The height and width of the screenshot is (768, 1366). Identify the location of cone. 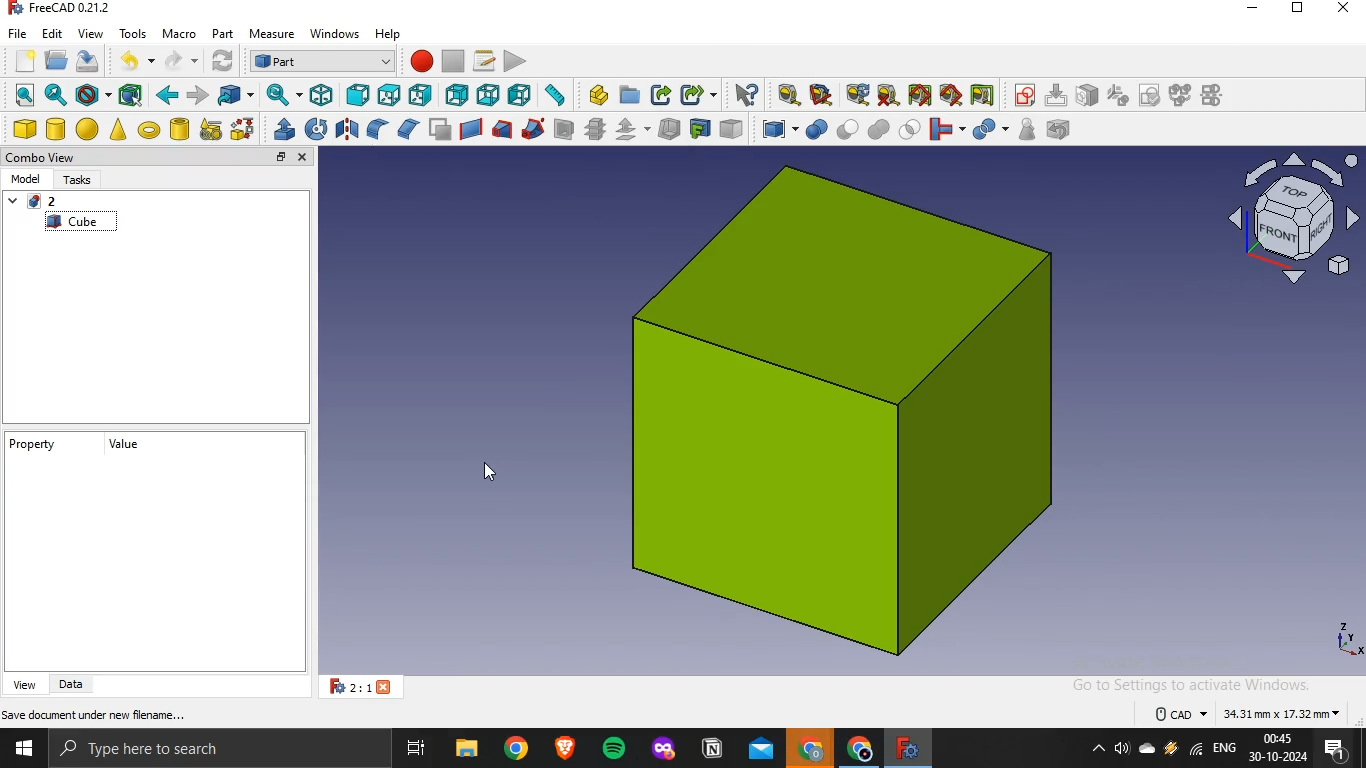
(119, 128).